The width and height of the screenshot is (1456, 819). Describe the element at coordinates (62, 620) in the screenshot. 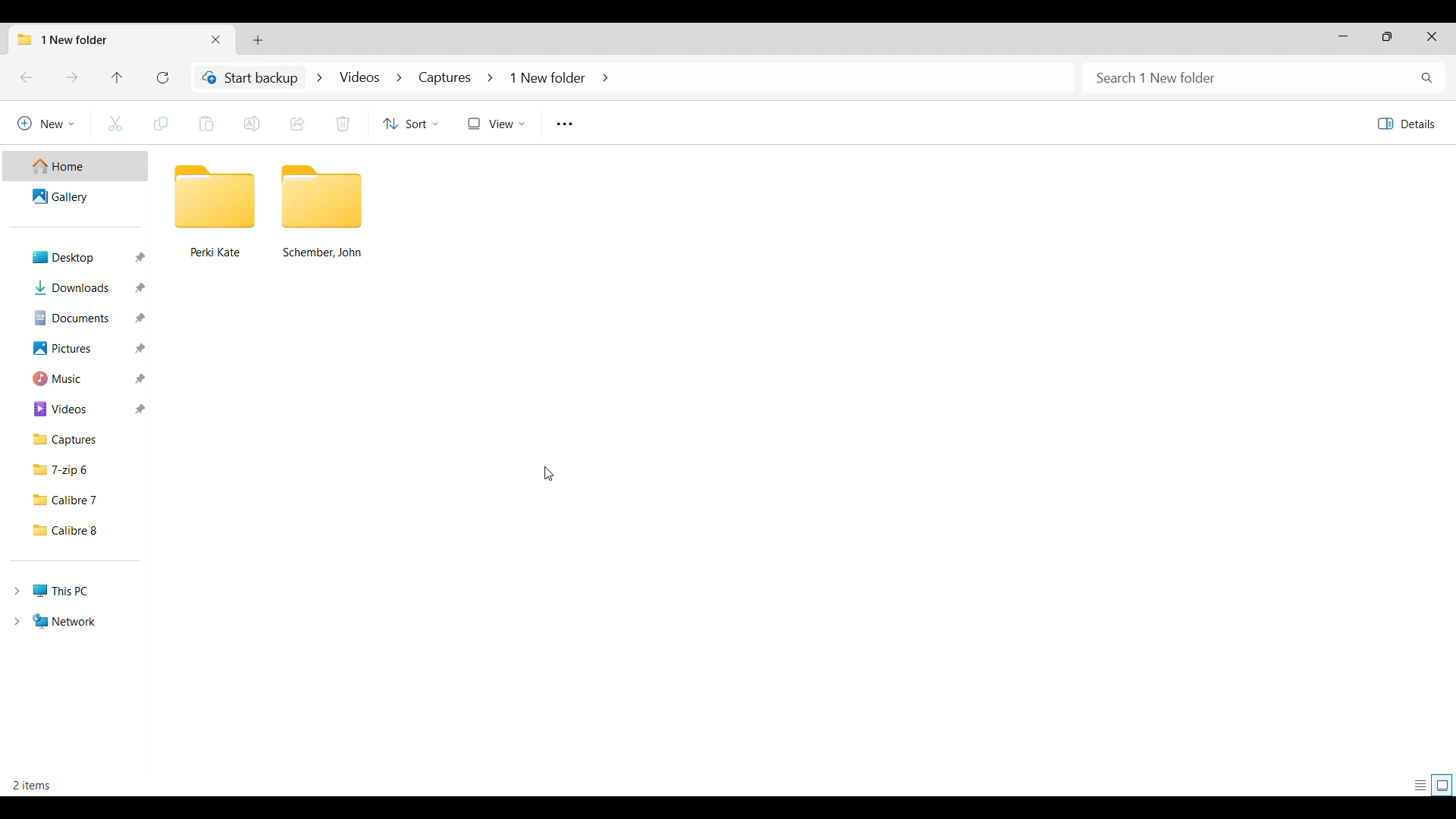

I see `Network` at that location.